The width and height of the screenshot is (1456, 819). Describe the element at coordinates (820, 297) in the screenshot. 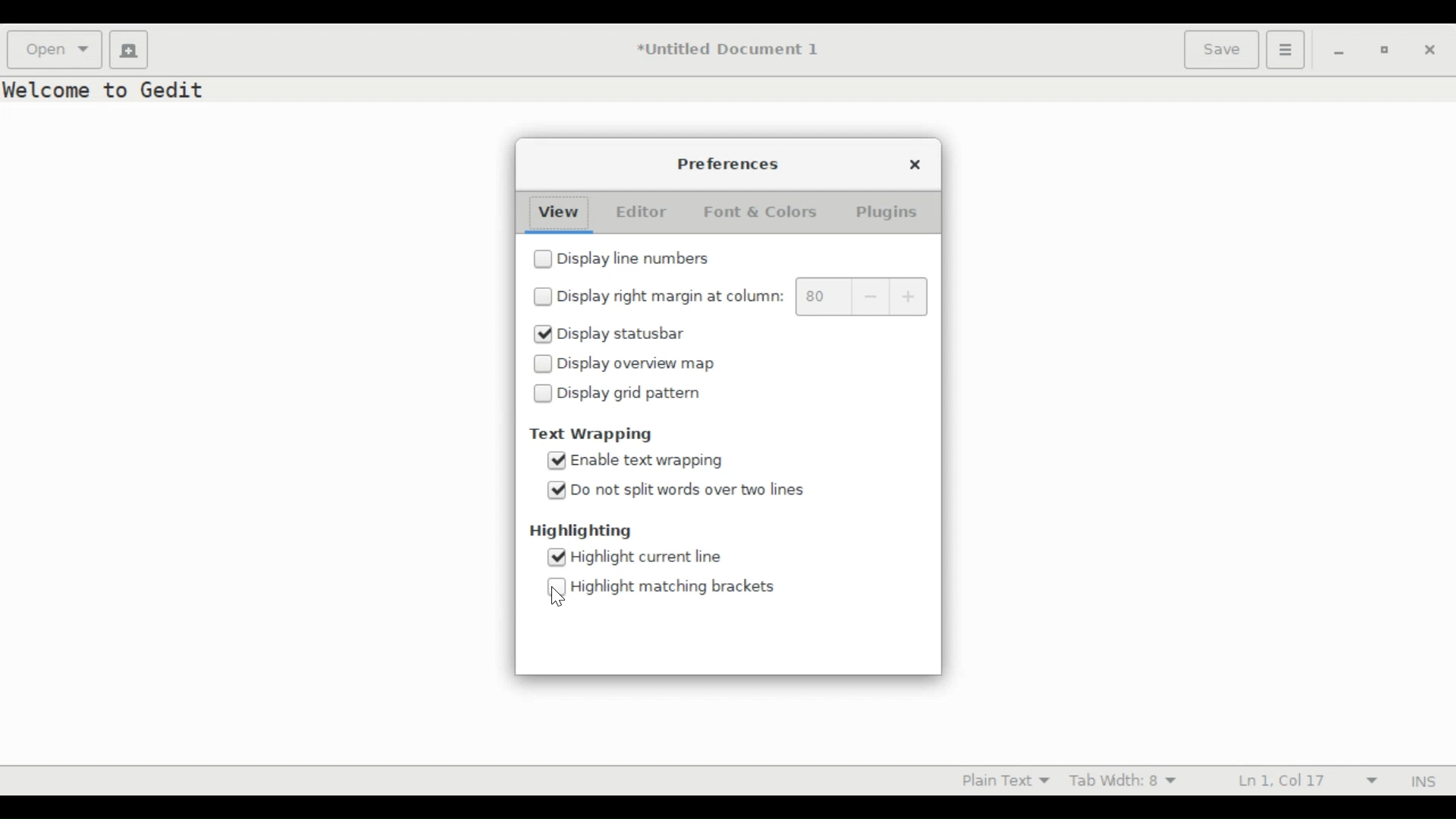

I see `Margin value` at that location.